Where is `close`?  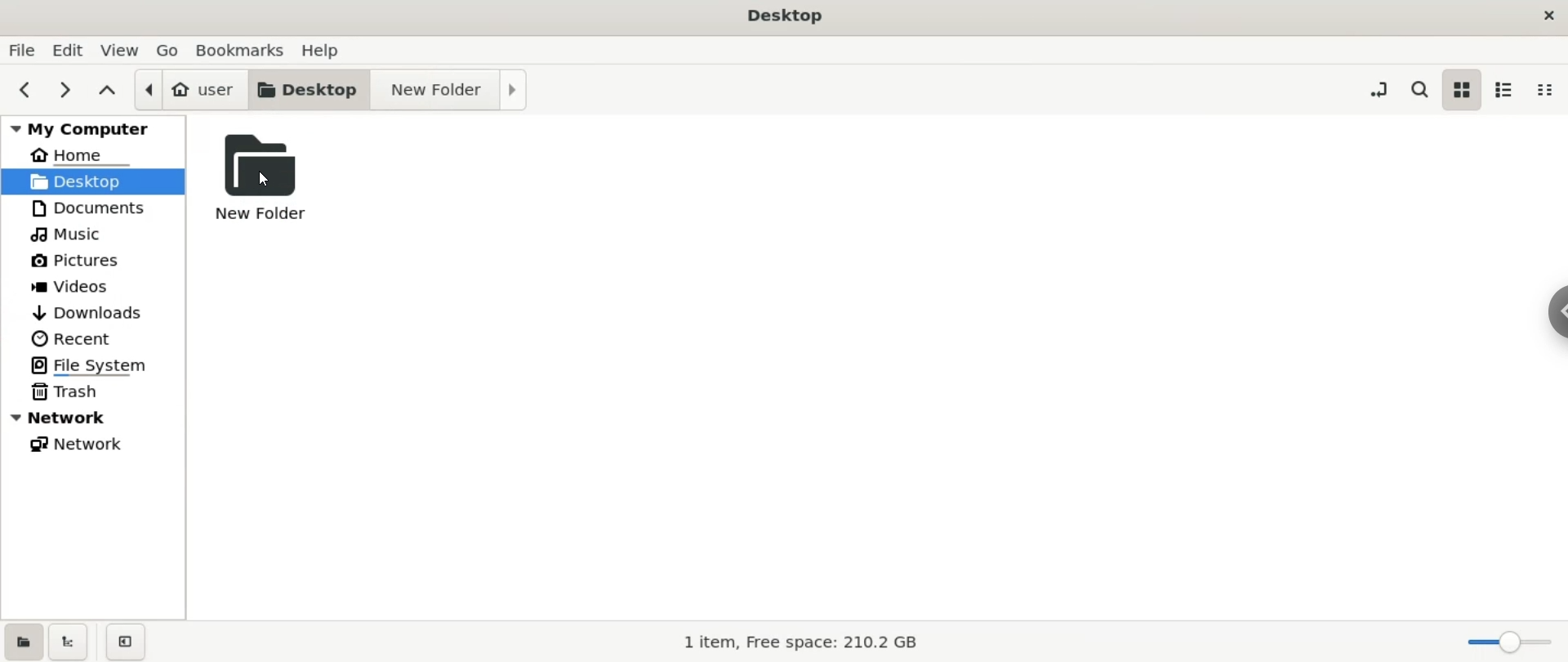
close is located at coordinates (1548, 16).